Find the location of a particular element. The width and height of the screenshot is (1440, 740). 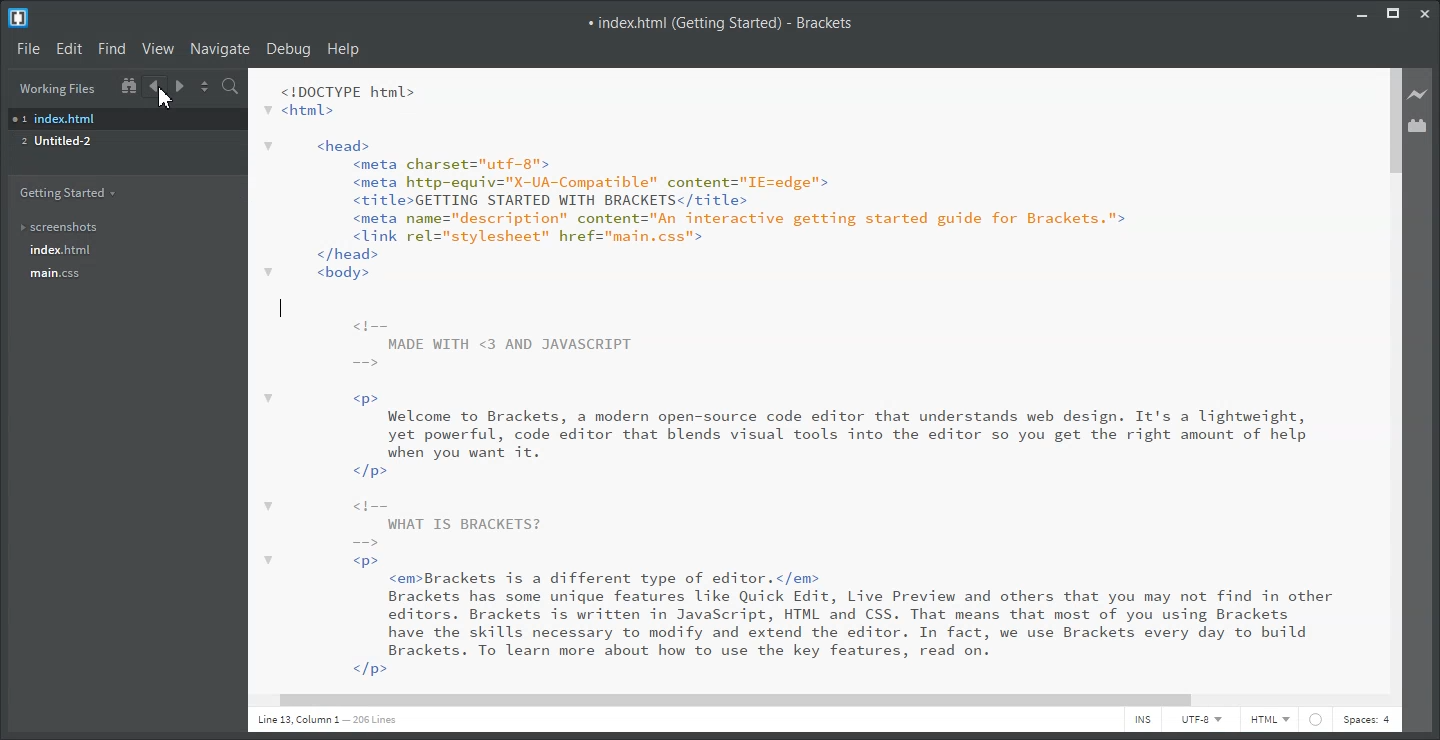

index.html is located at coordinates (126, 119).